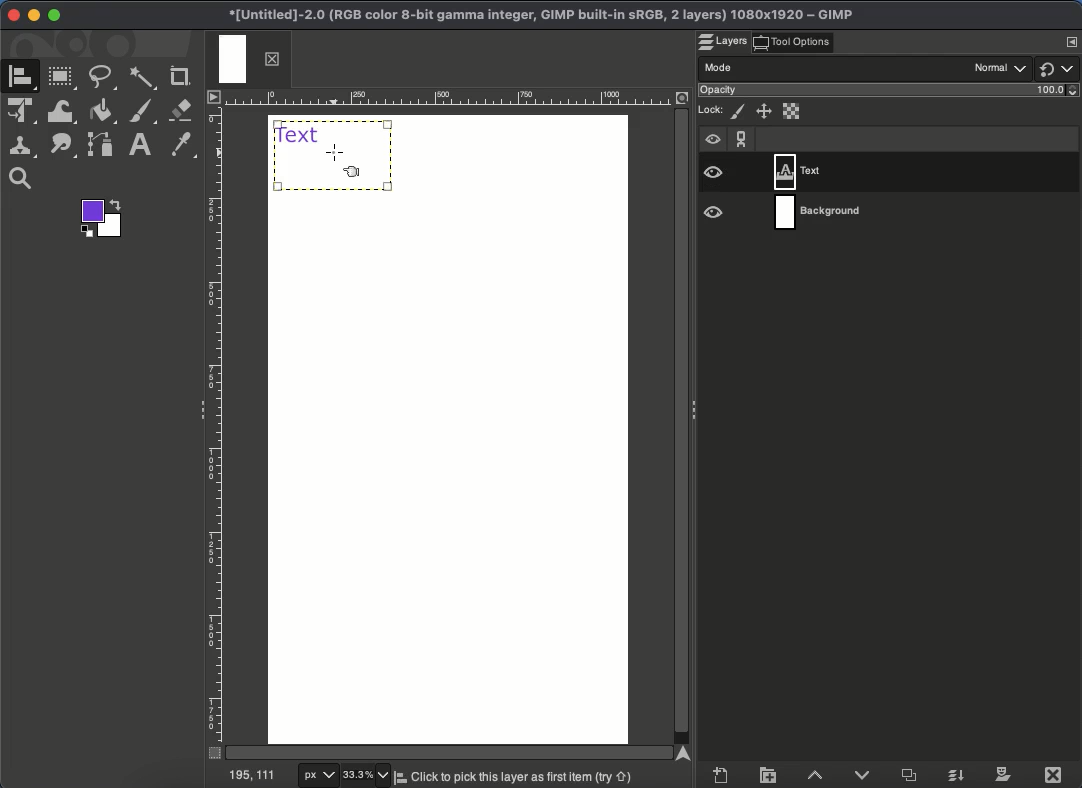 This screenshot has width=1082, height=788. What do you see at coordinates (140, 146) in the screenshot?
I see `Text` at bounding box center [140, 146].